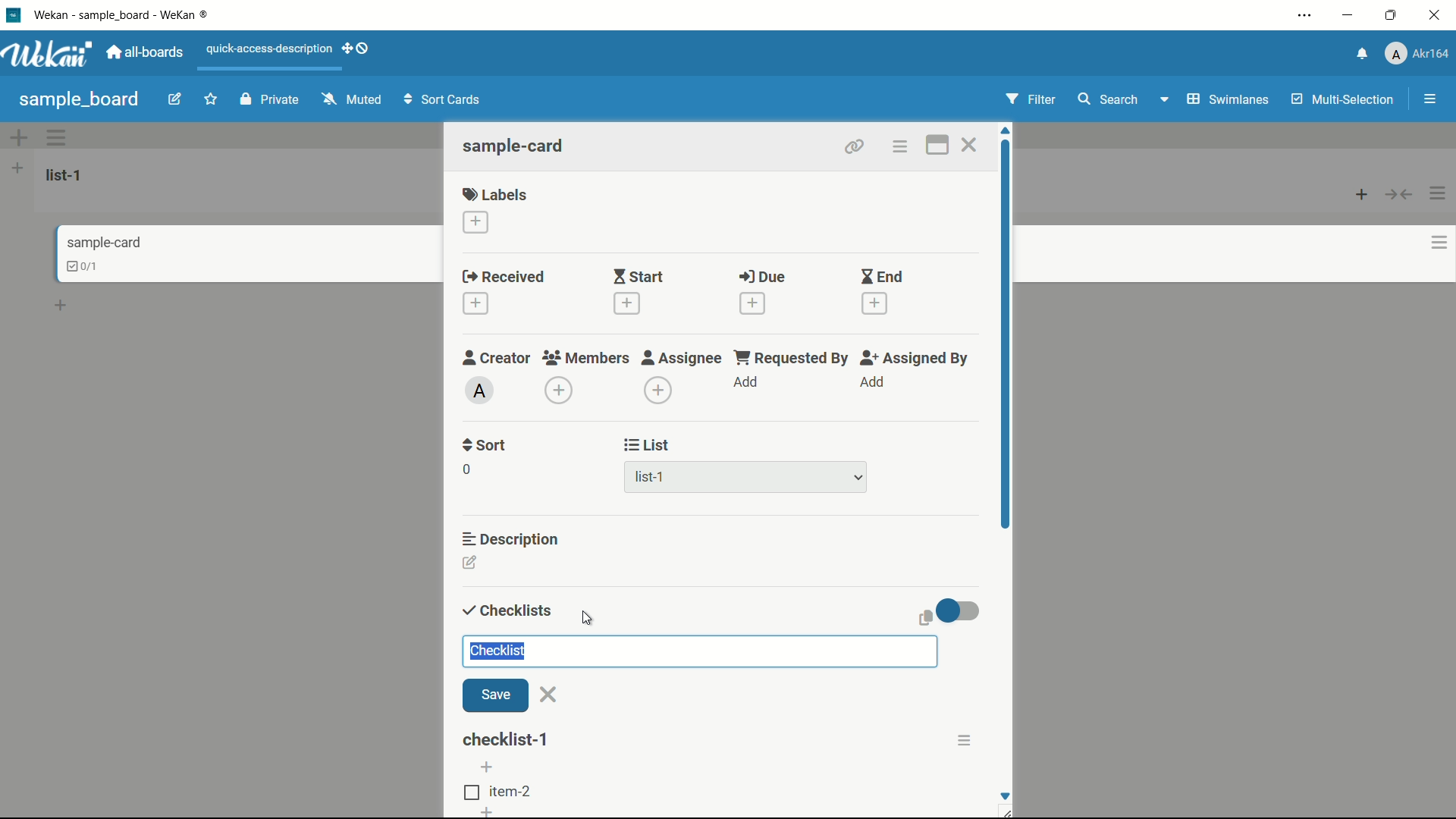  What do you see at coordinates (489, 767) in the screenshot?
I see `add checklist` at bounding box center [489, 767].